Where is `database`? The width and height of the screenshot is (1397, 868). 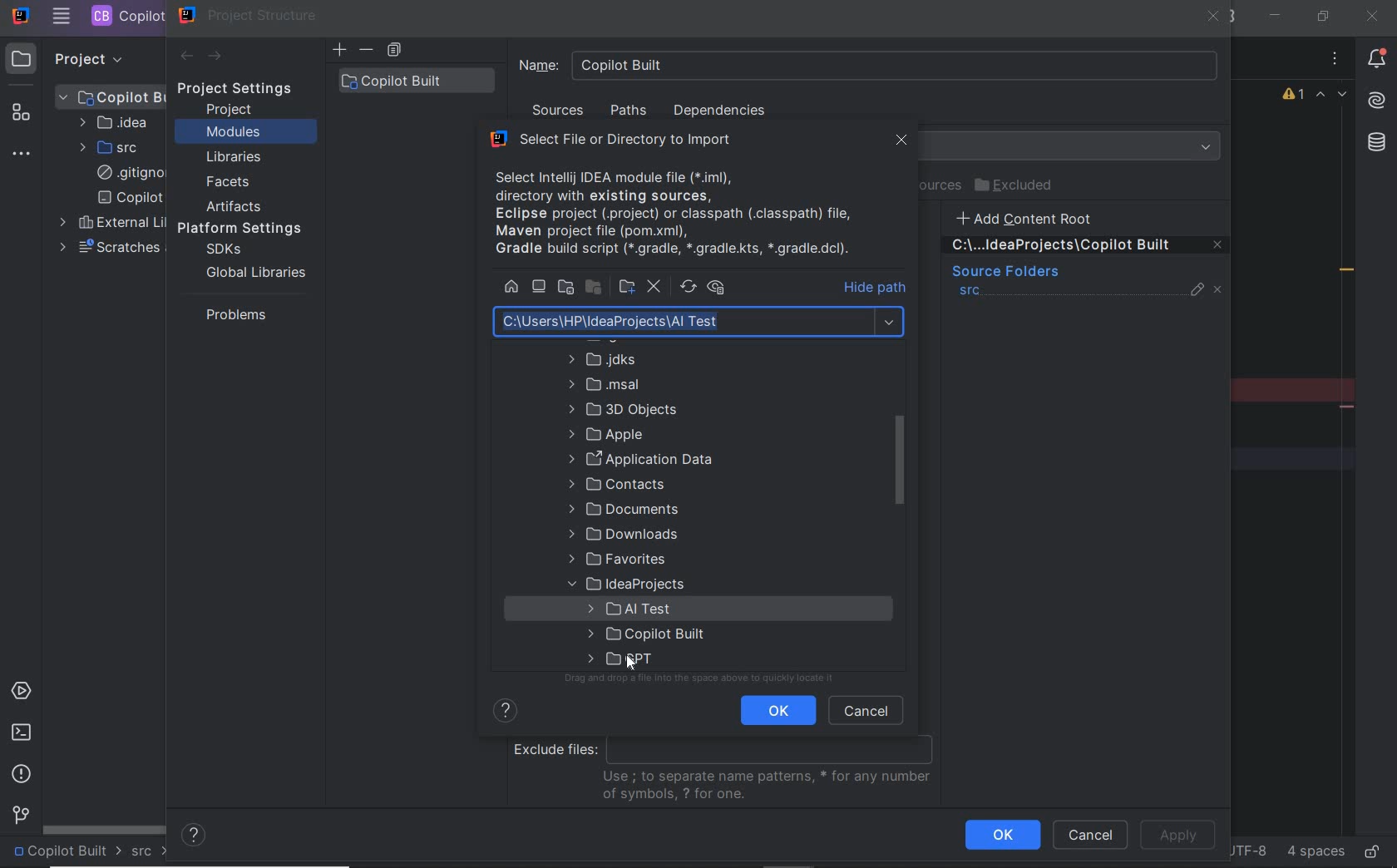 database is located at coordinates (1375, 145).